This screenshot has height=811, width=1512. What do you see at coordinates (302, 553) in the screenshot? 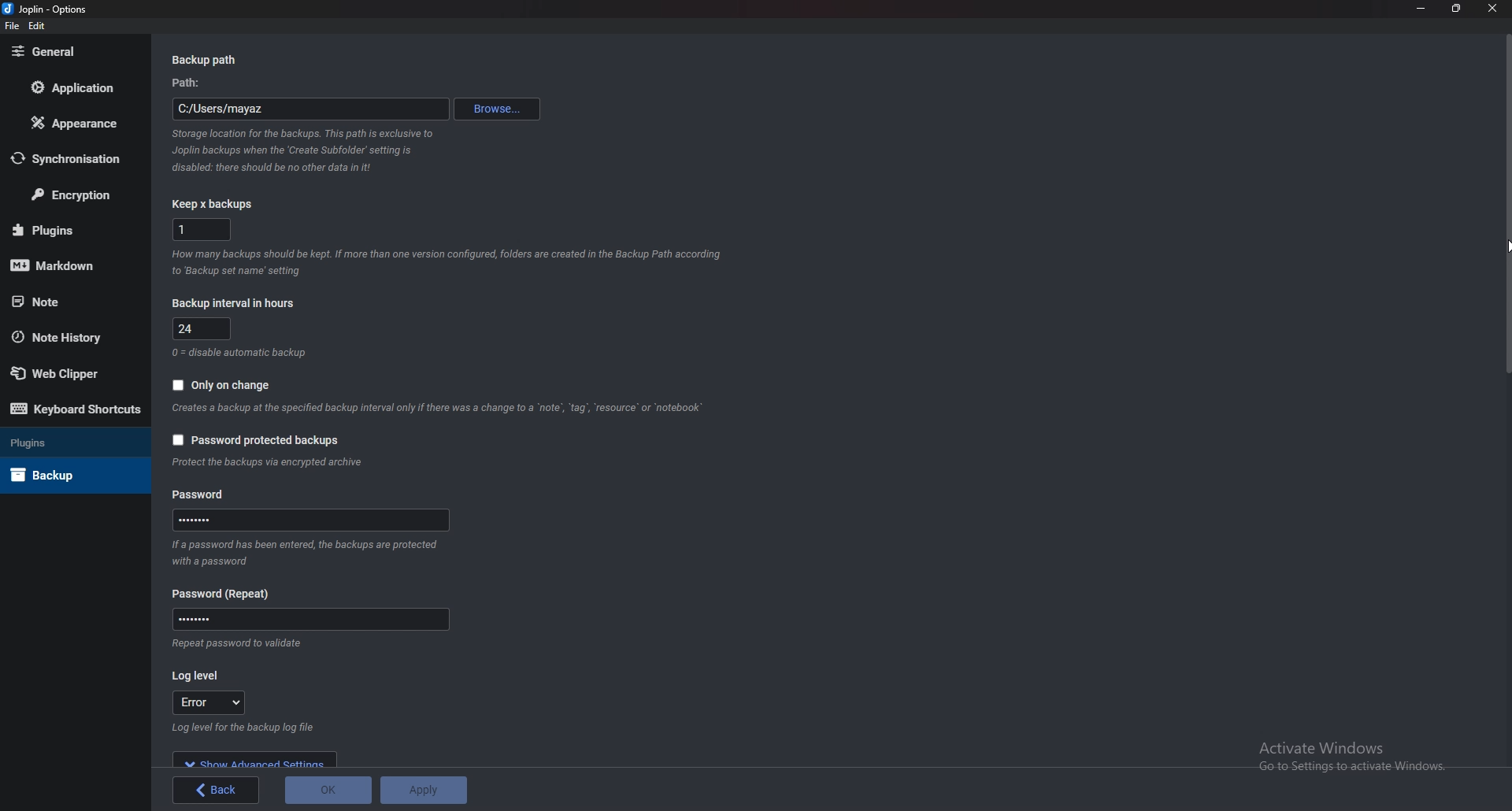
I see `Info on password` at bounding box center [302, 553].